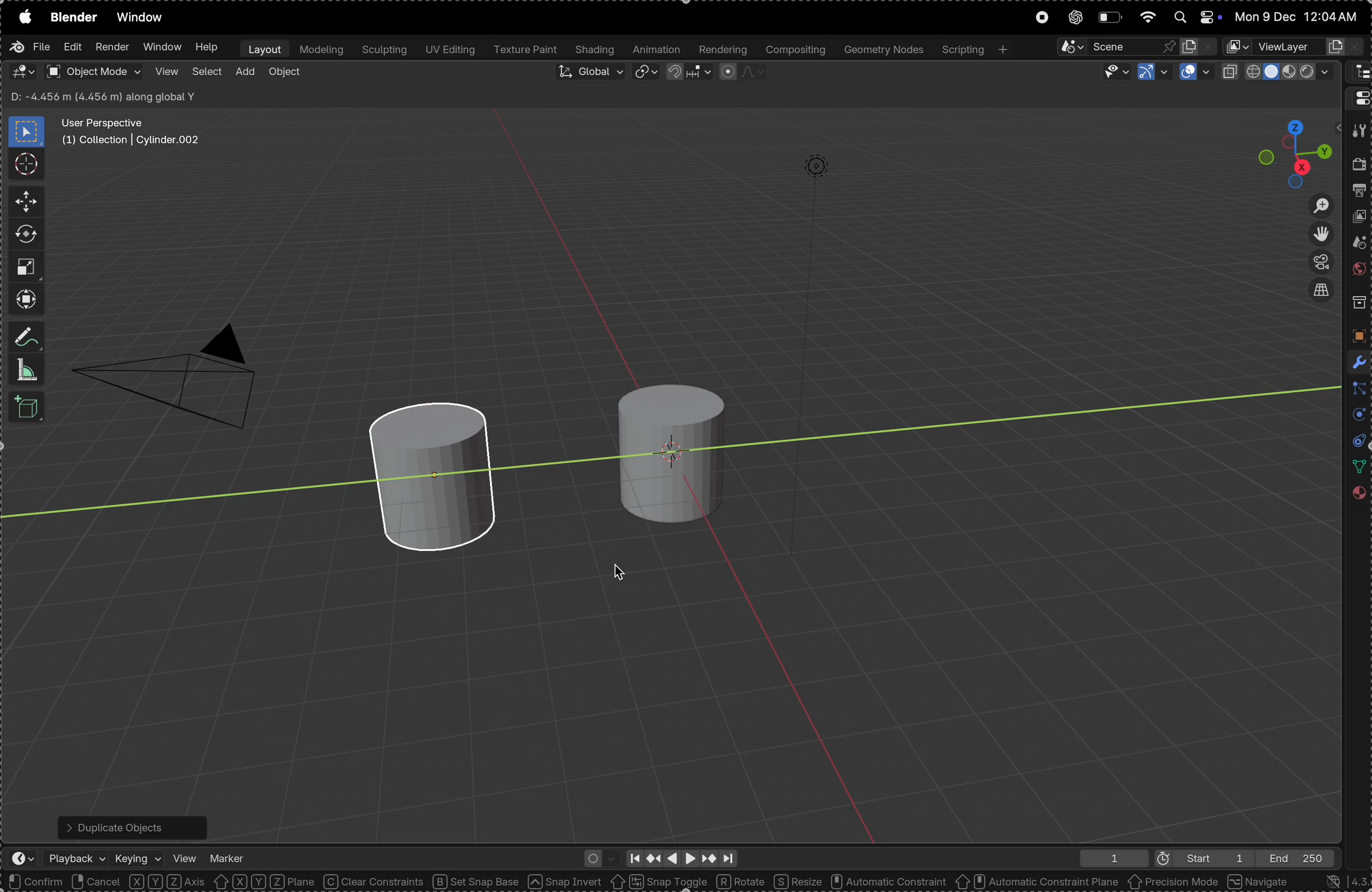 The image size is (1372, 892). What do you see at coordinates (1356, 361) in the screenshot?
I see `modifiers` at bounding box center [1356, 361].